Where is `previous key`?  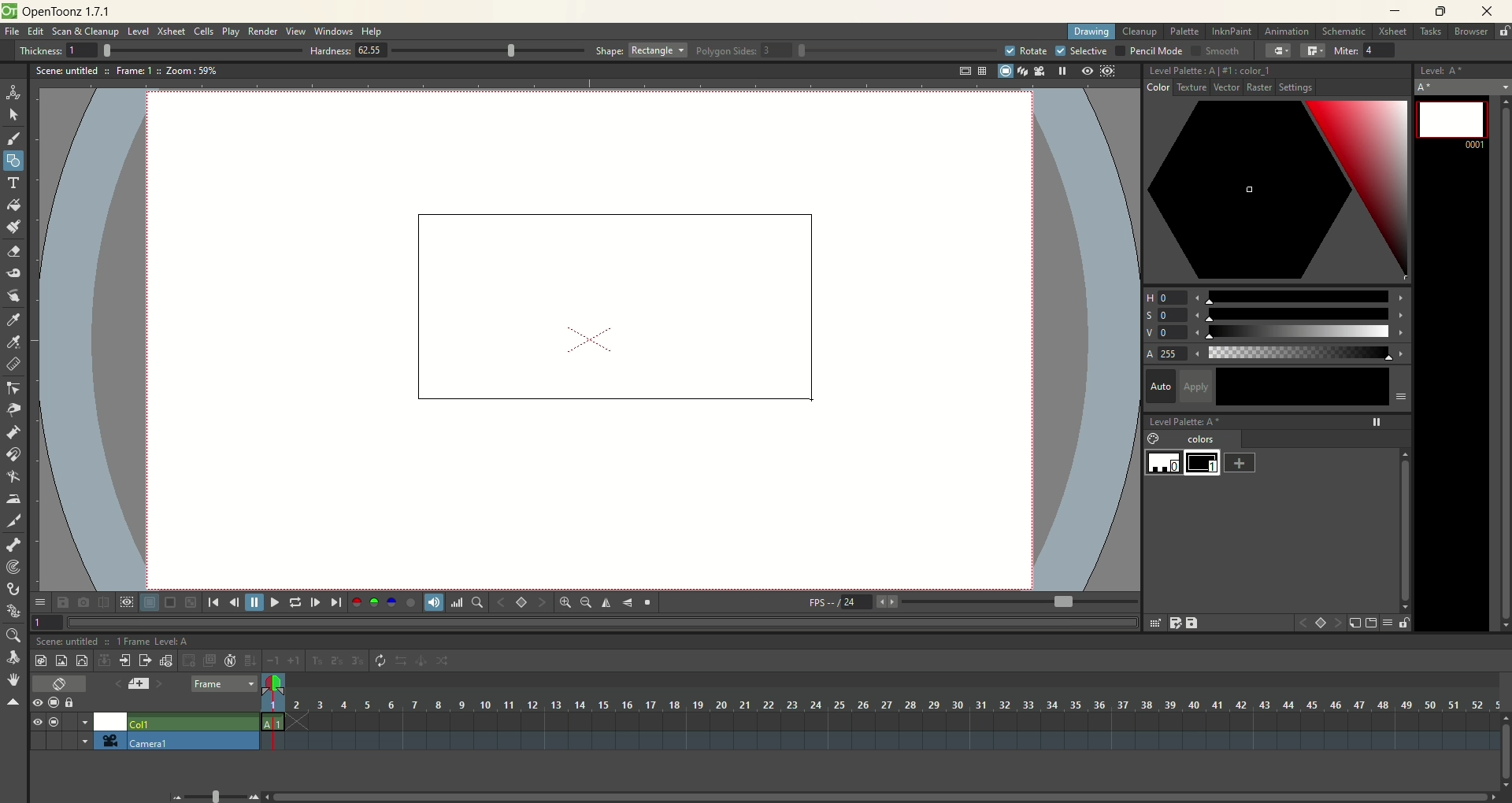
previous key is located at coordinates (1303, 625).